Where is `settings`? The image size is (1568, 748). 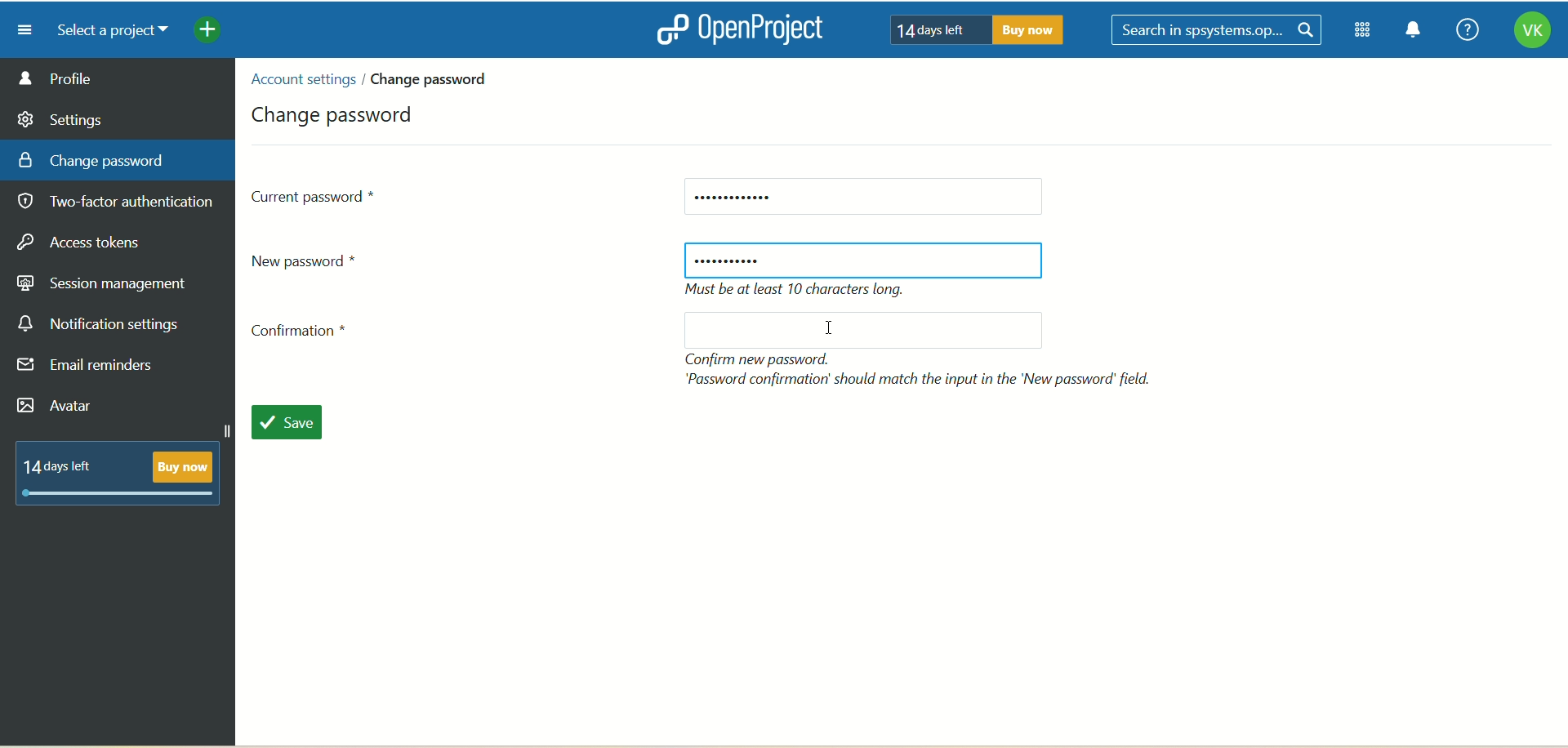
settings is located at coordinates (61, 117).